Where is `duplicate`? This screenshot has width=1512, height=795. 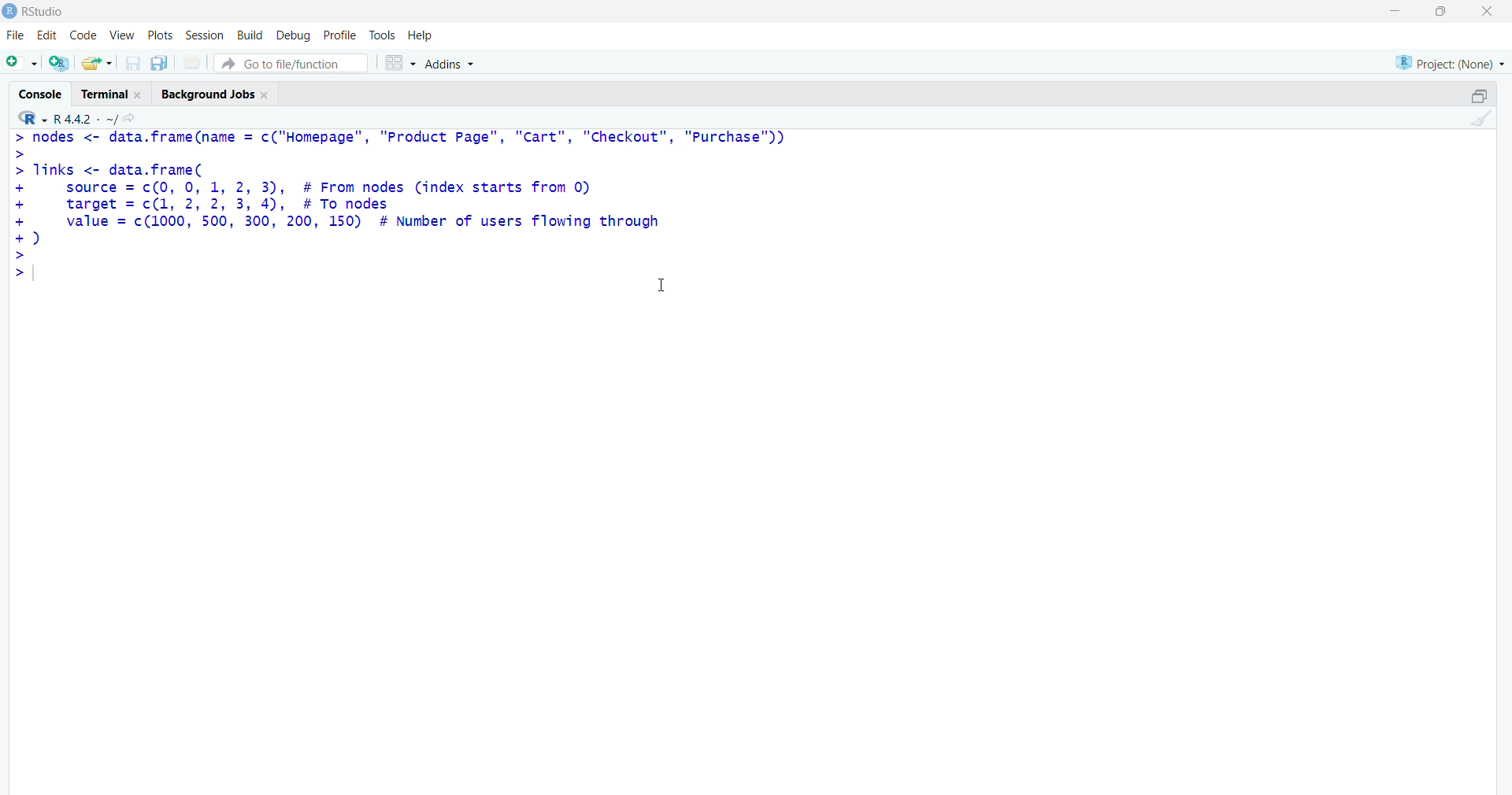
duplicate is located at coordinates (161, 63).